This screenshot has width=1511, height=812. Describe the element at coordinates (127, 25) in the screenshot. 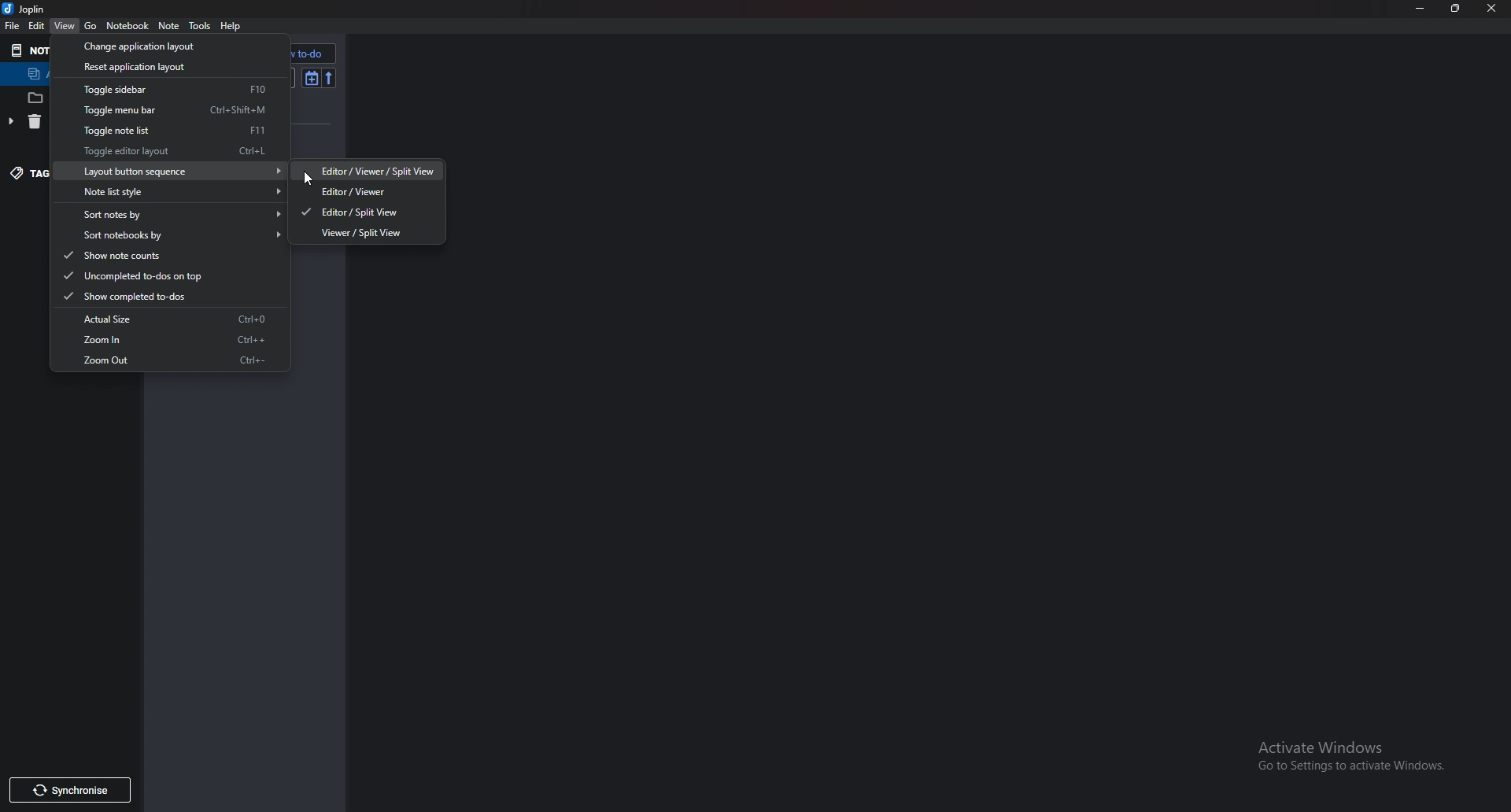

I see `Notebook` at that location.